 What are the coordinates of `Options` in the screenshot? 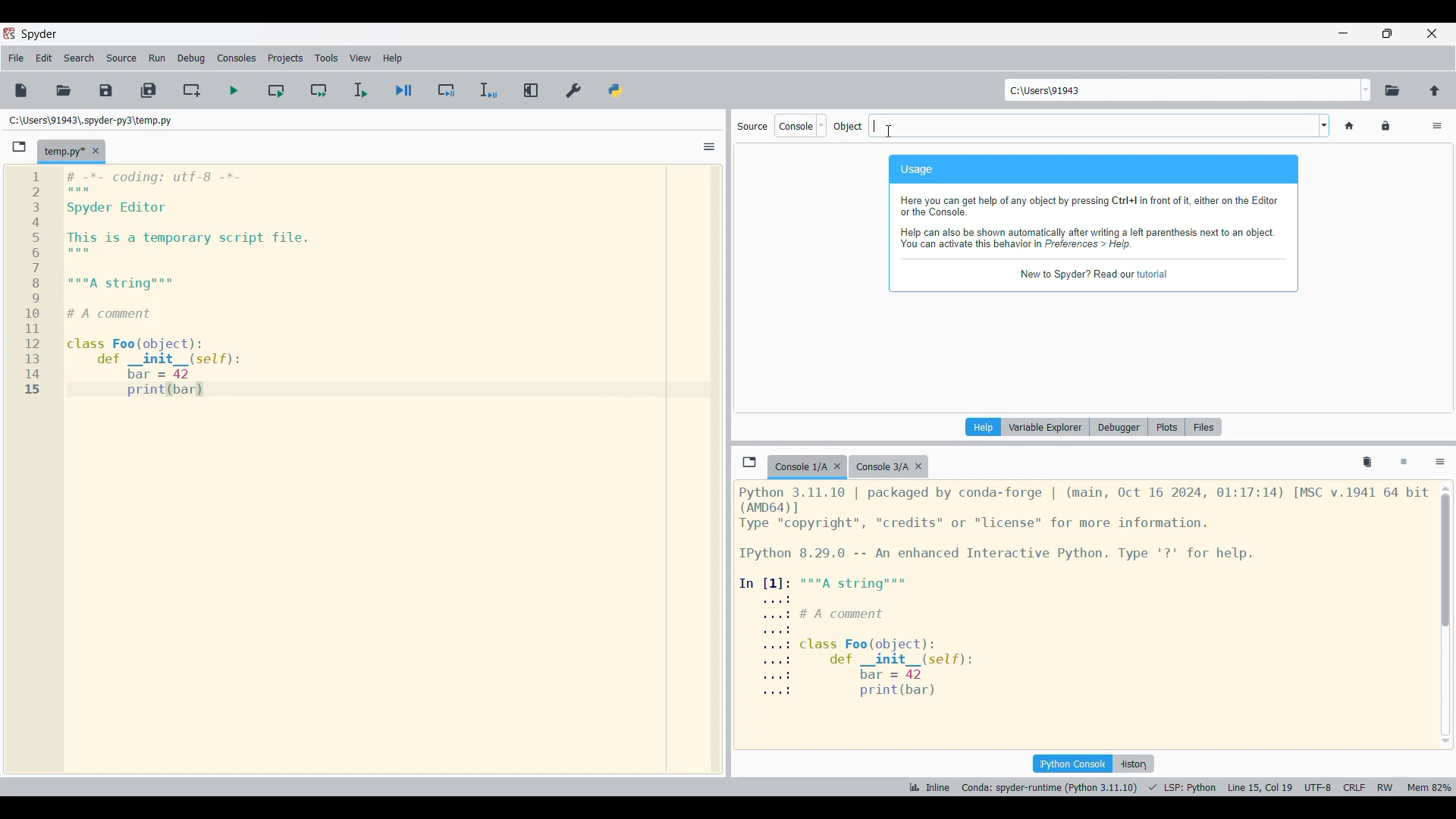 It's located at (1438, 126).